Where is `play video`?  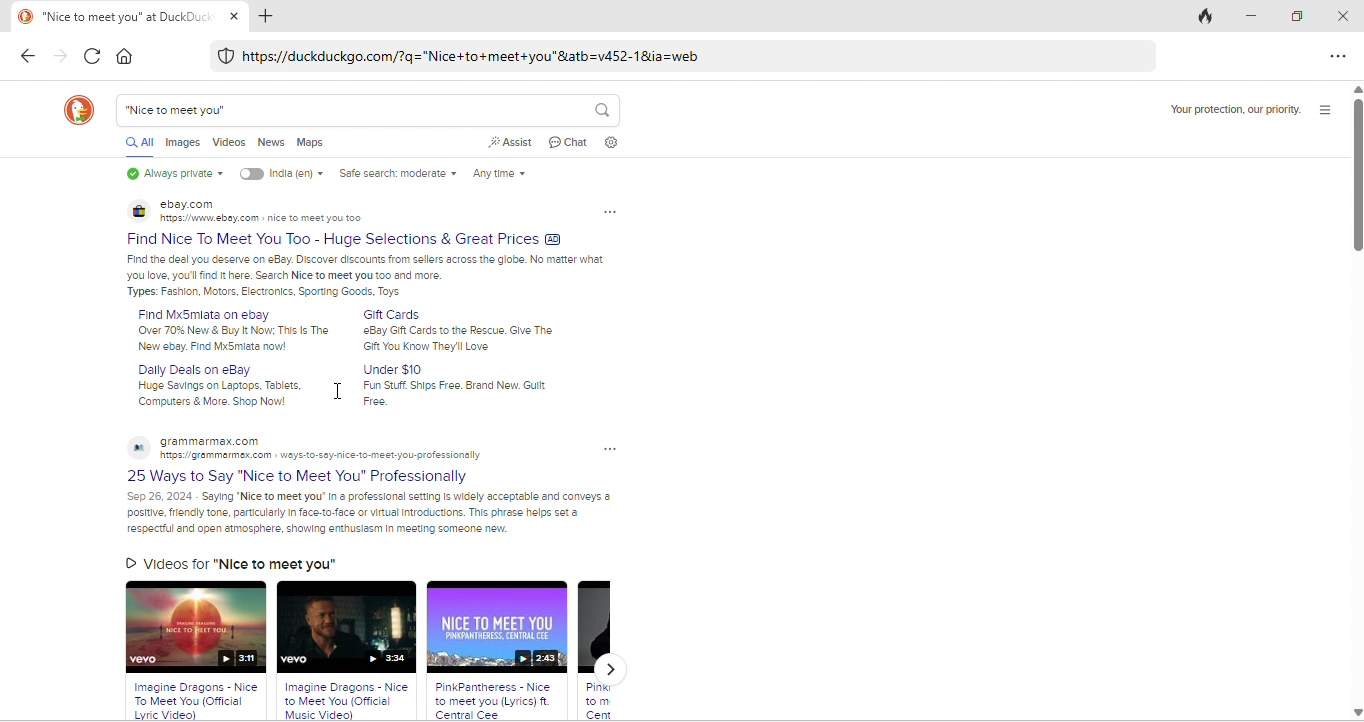 play video is located at coordinates (196, 628).